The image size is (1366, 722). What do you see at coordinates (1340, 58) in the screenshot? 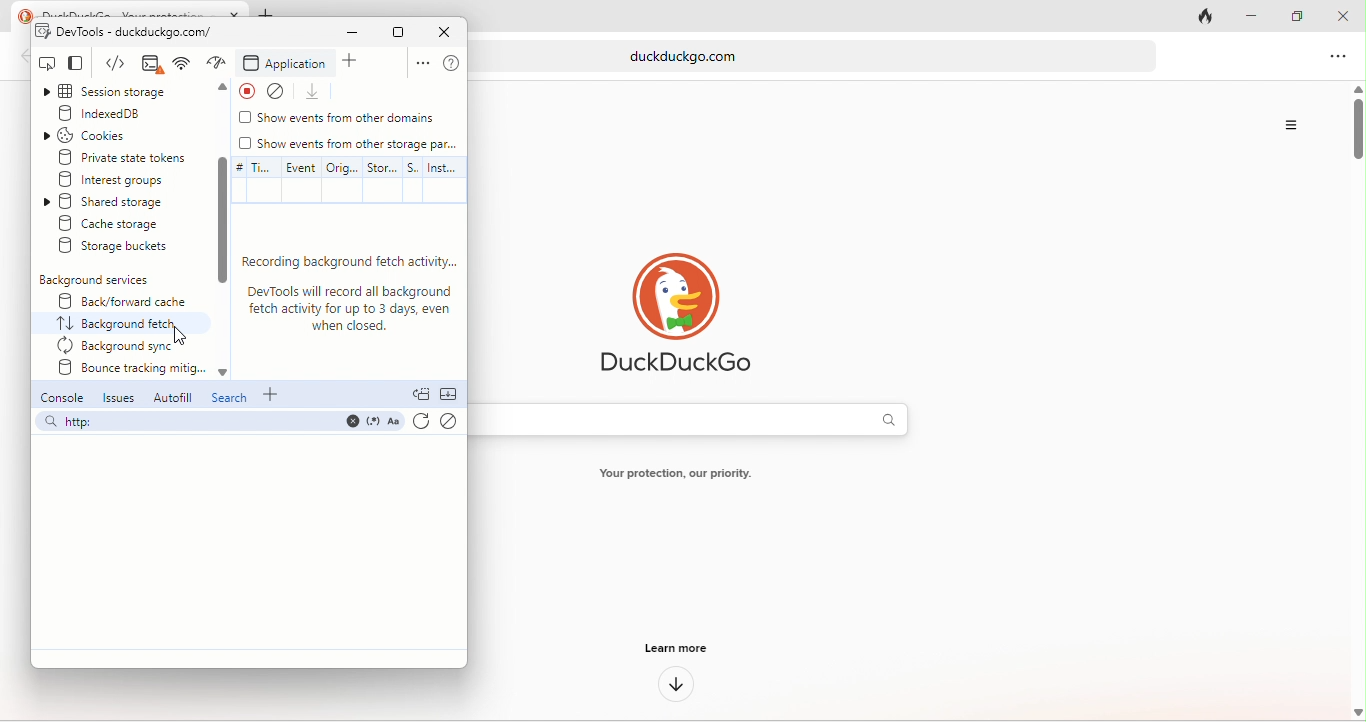
I see `option` at bounding box center [1340, 58].